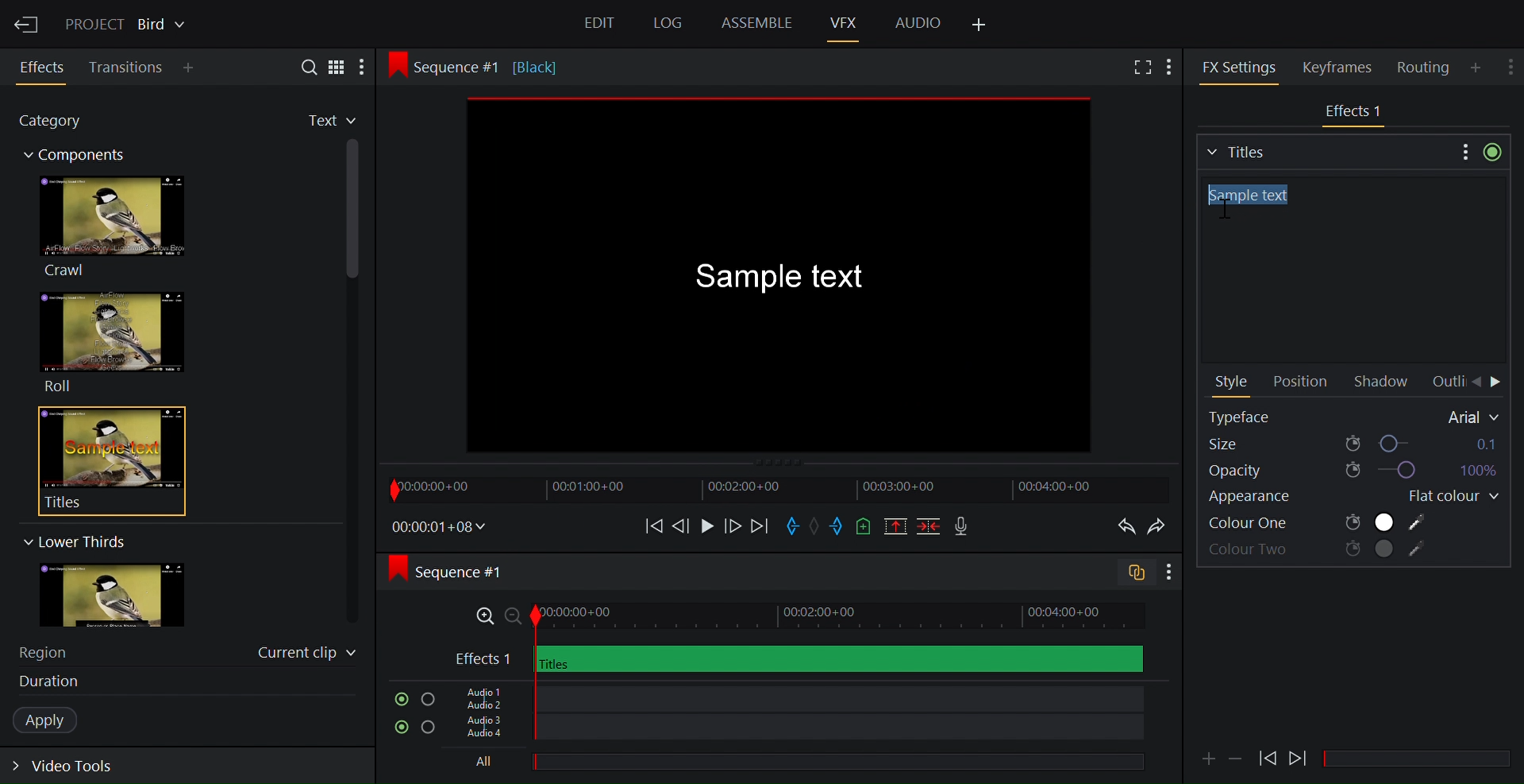 This screenshot has height=784, width=1524. I want to click on Timeline, so click(777, 489).